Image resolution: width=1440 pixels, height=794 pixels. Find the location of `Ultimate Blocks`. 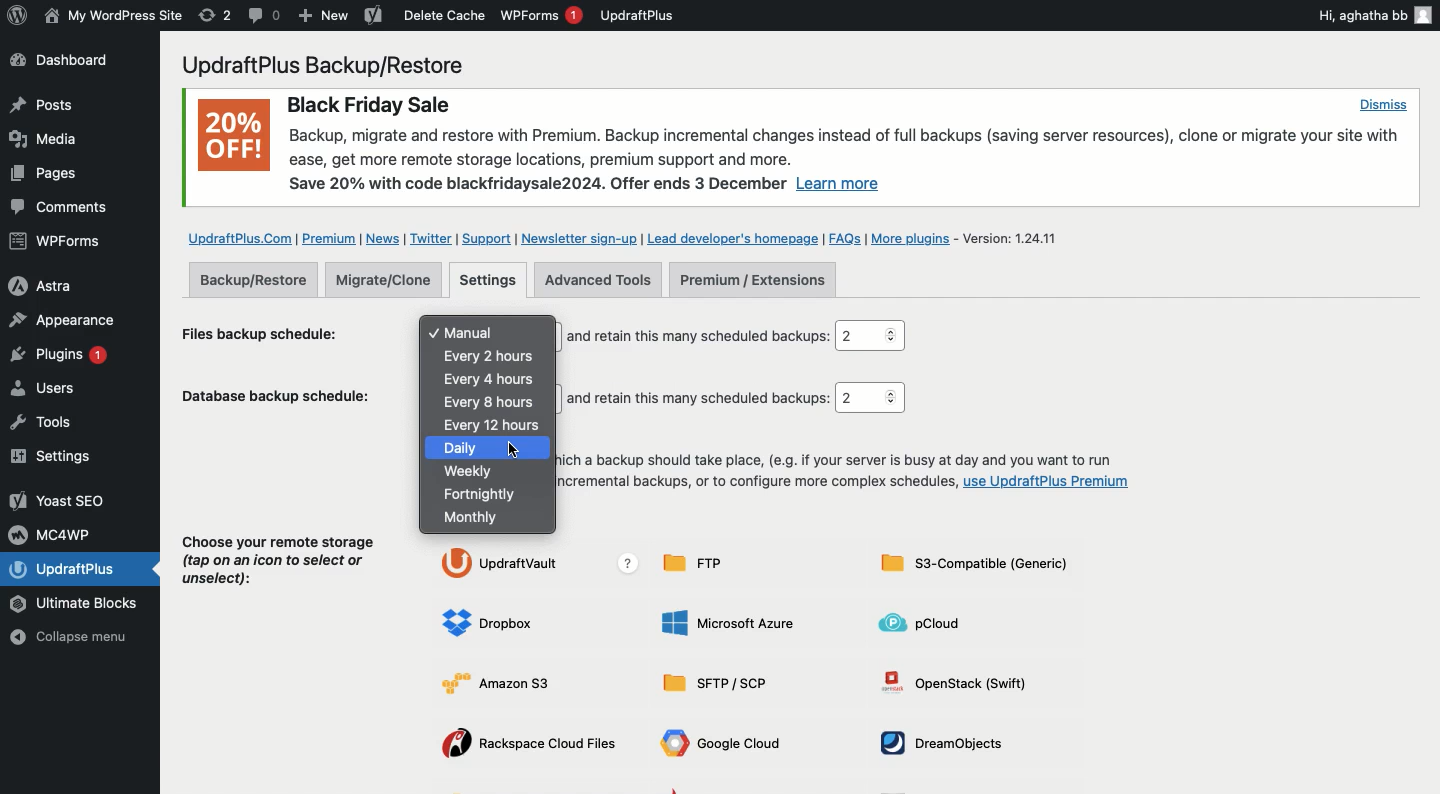

Ultimate Blocks is located at coordinates (80, 605).